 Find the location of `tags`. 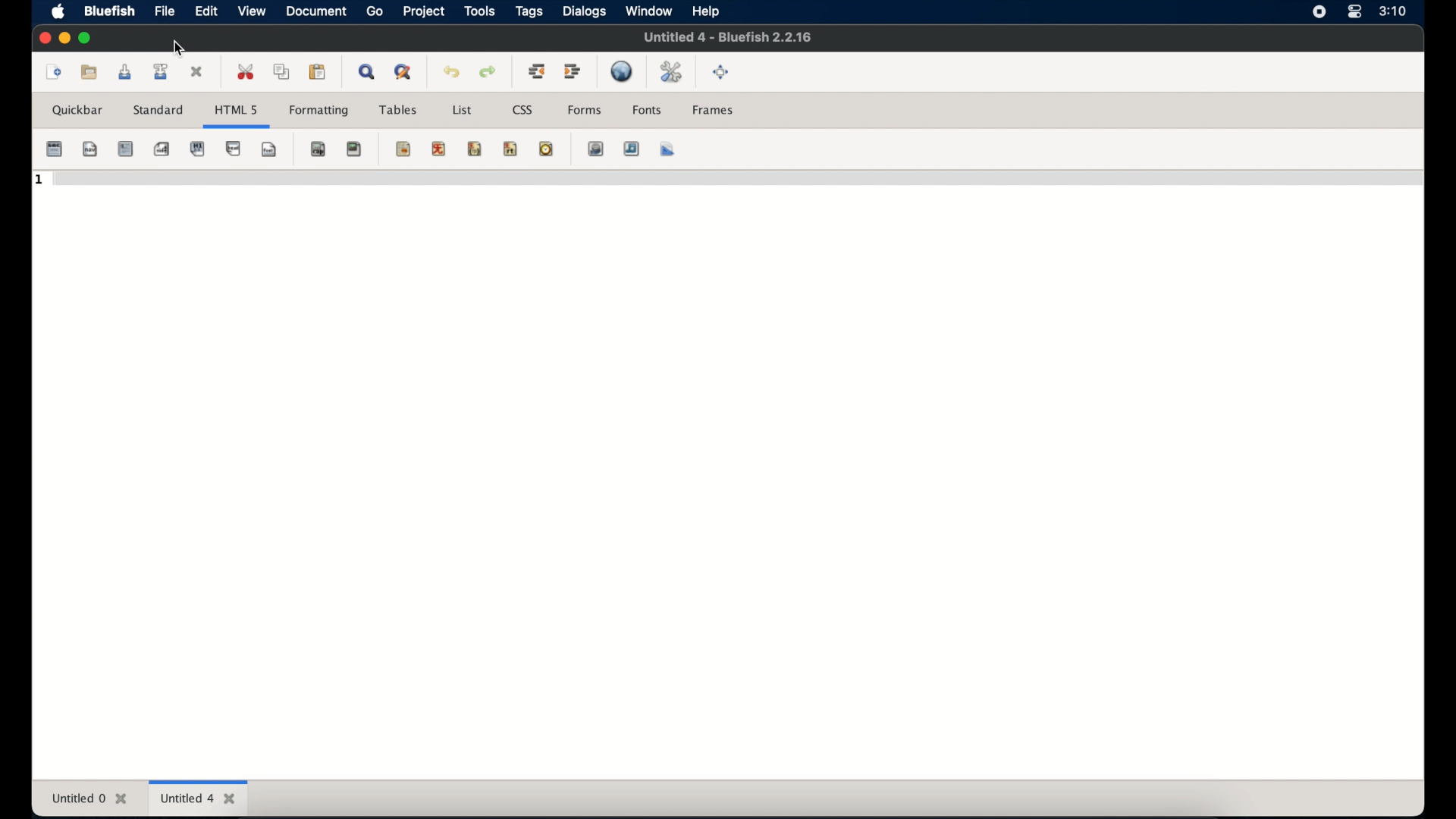

tags is located at coordinates (530, 12).